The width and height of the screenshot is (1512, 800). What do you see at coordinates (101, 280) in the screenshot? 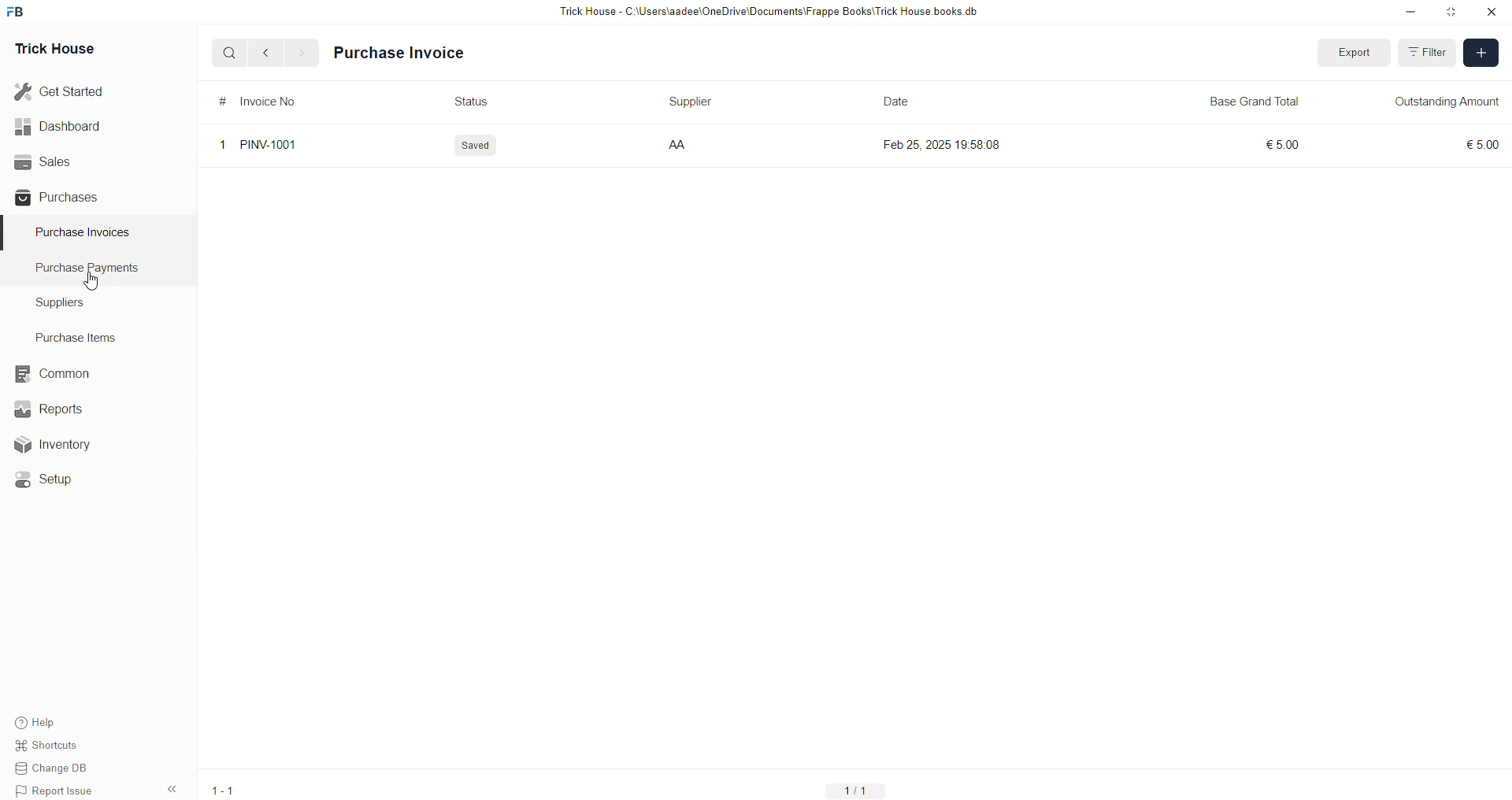
I see `cursor` at bounding box center [101, 280].